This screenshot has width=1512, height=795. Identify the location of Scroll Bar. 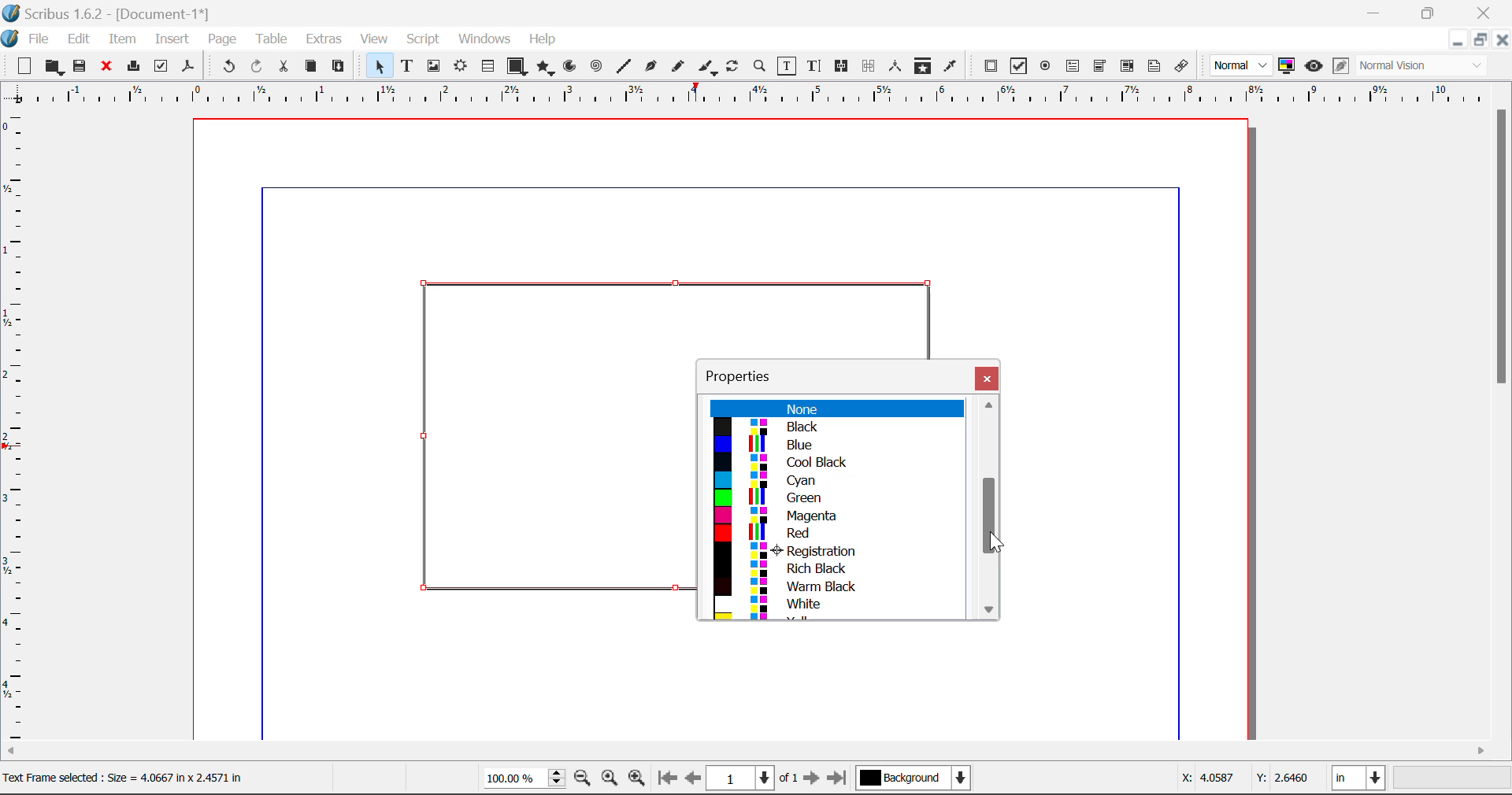
(1503, 420).